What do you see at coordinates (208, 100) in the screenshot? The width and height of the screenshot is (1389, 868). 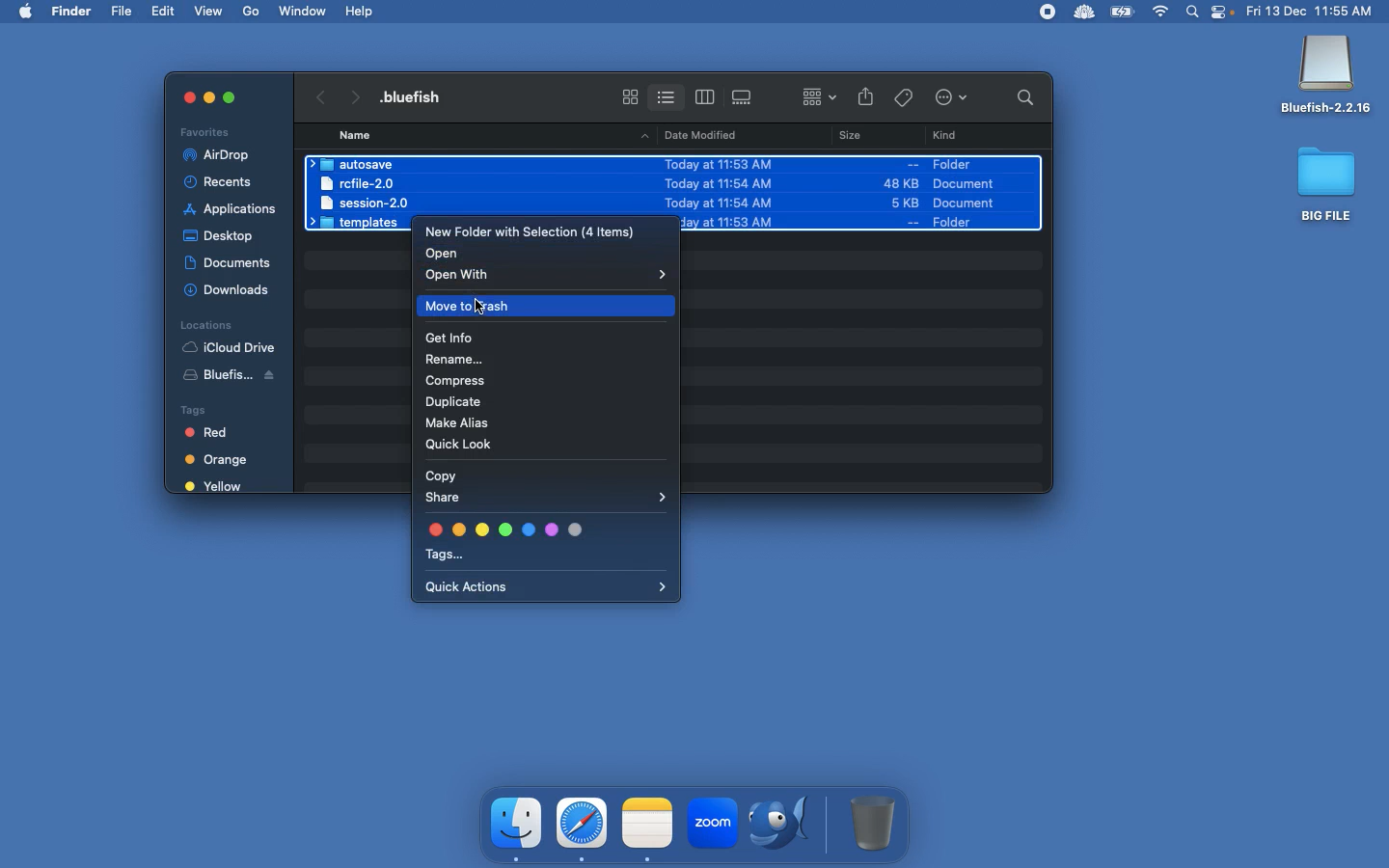 I see `minimize` at bounding box center [208, 100].